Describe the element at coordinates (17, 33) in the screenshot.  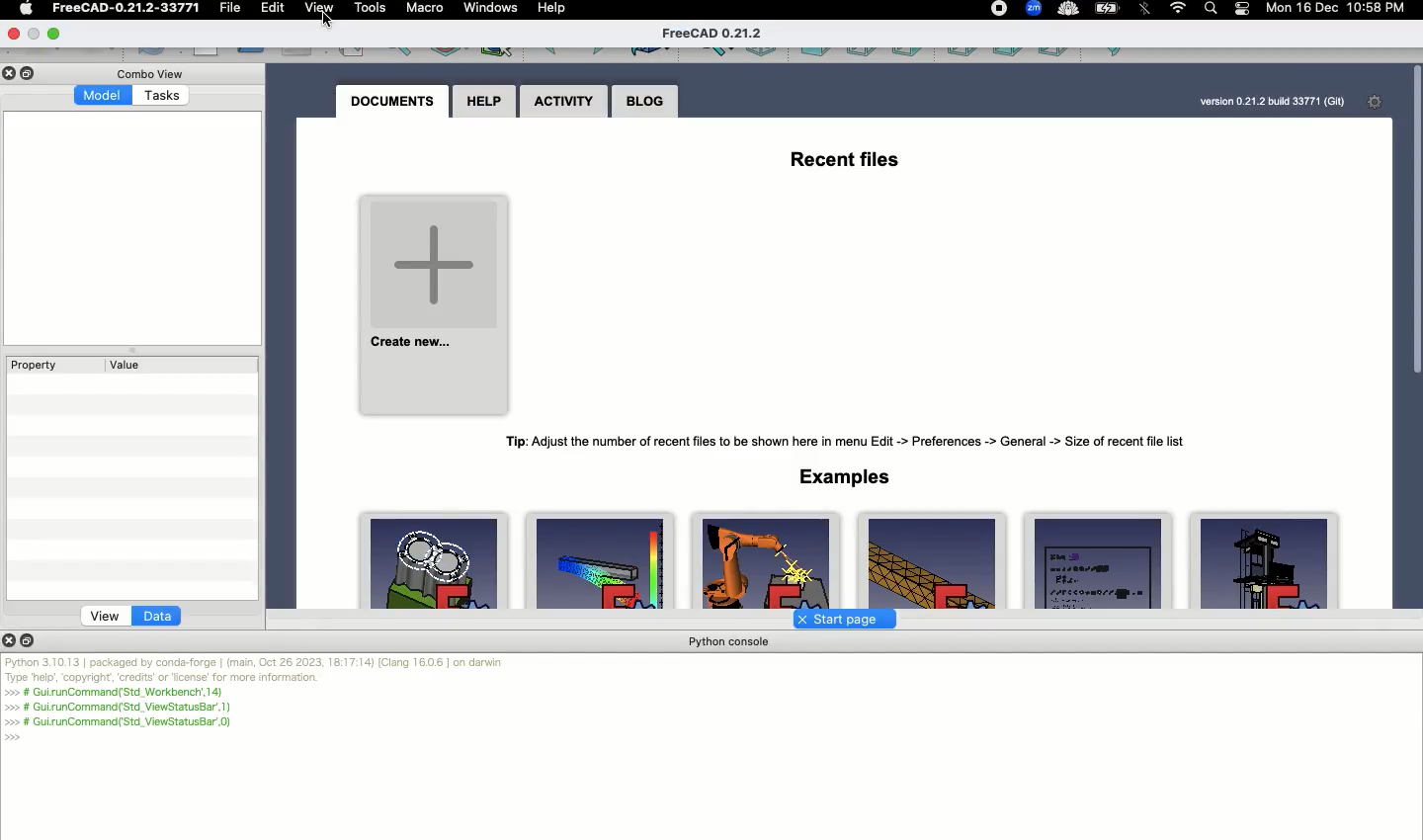
I see `Close` at that location.